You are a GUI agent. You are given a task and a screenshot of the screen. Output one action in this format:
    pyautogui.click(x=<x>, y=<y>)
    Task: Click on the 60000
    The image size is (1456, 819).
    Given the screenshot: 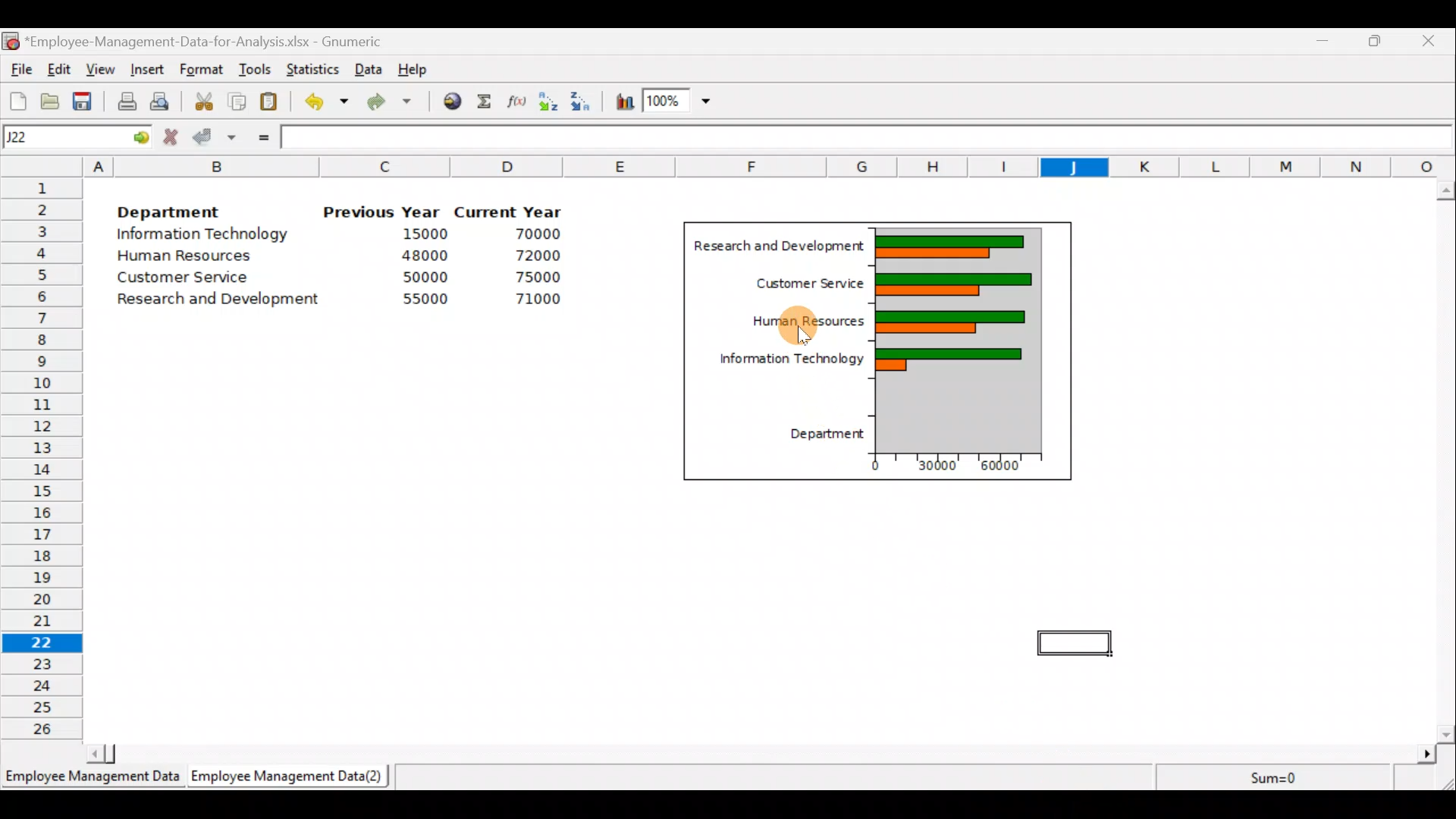 What is the action you would take?
    pyautogui.click(x=1004, y=469)
    